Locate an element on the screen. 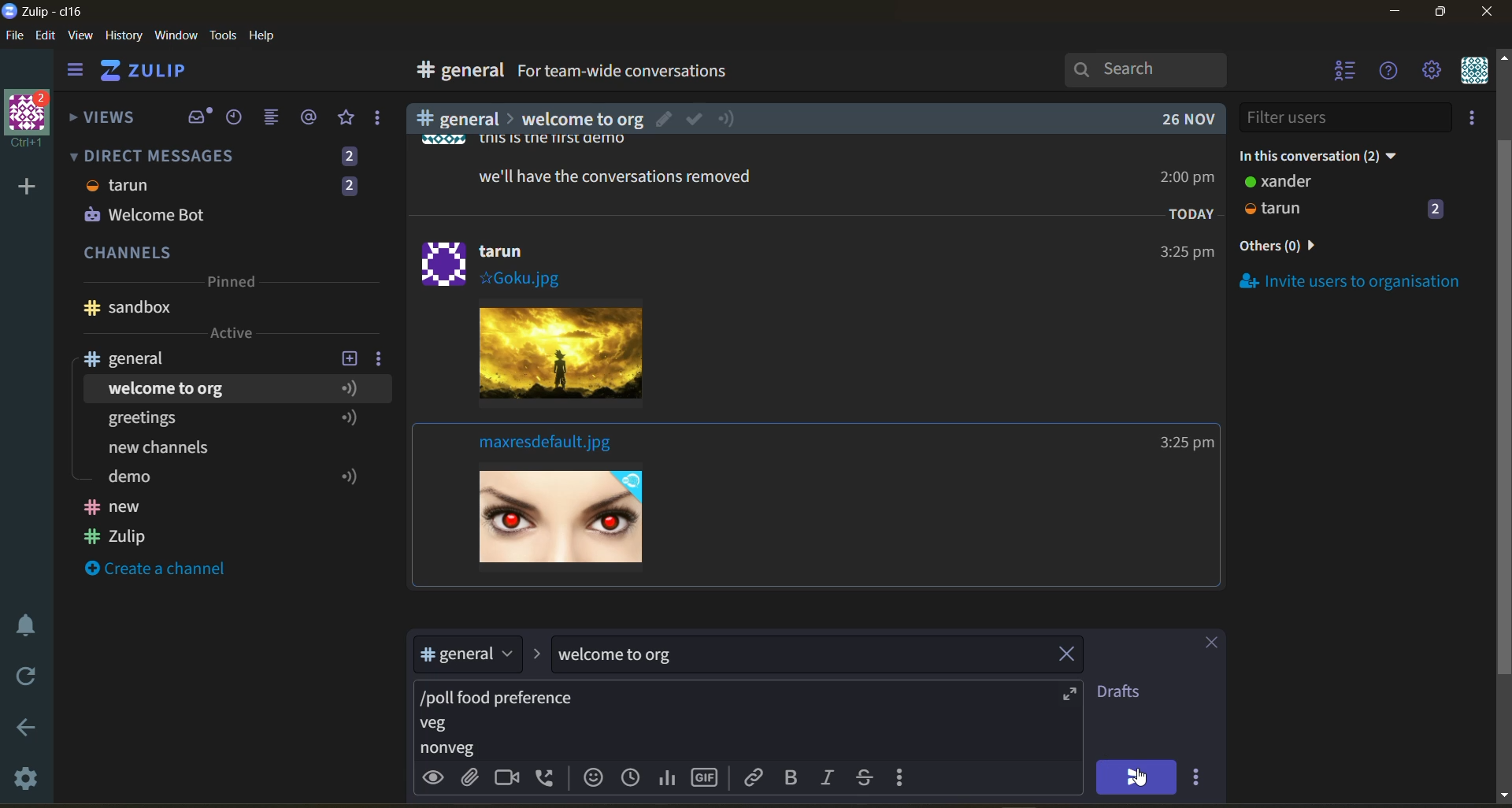 The width and height of the screenshot is (1512, 808).  is located at coordinates (1188, 443).